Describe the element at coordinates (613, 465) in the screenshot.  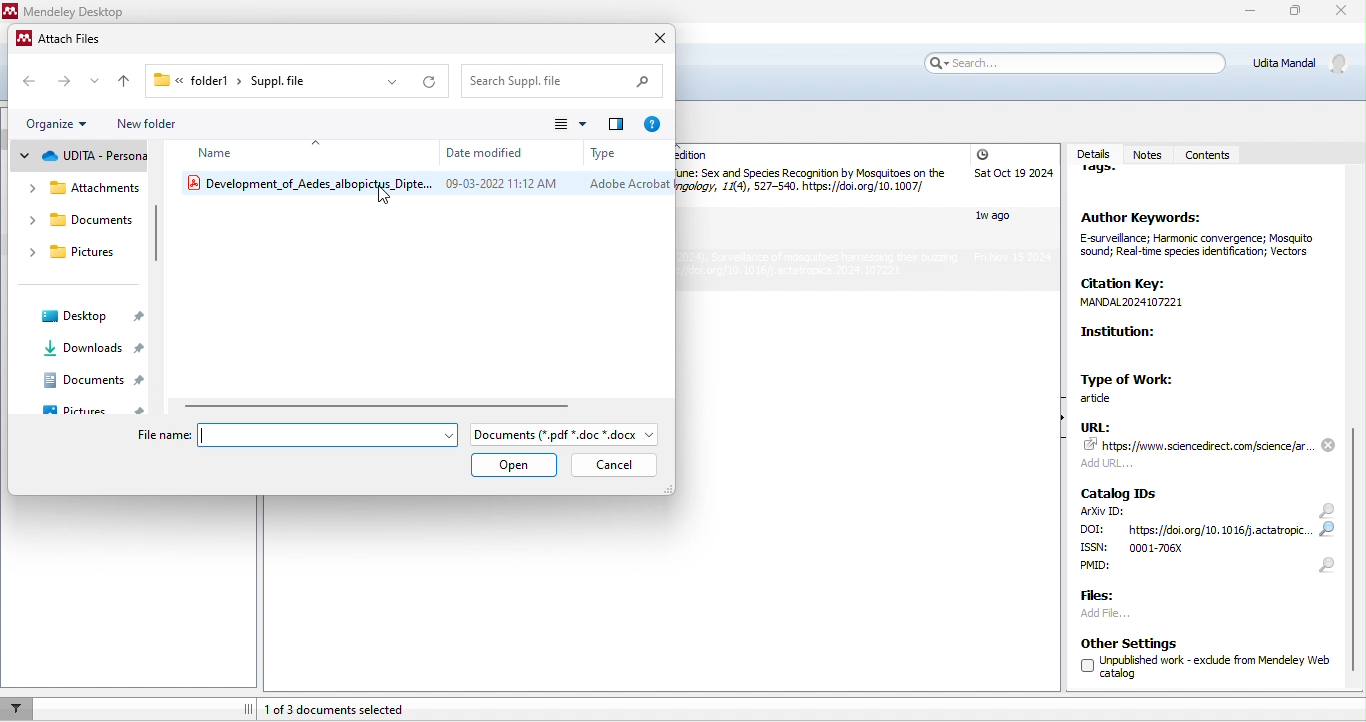
I see `cancel` at that location.